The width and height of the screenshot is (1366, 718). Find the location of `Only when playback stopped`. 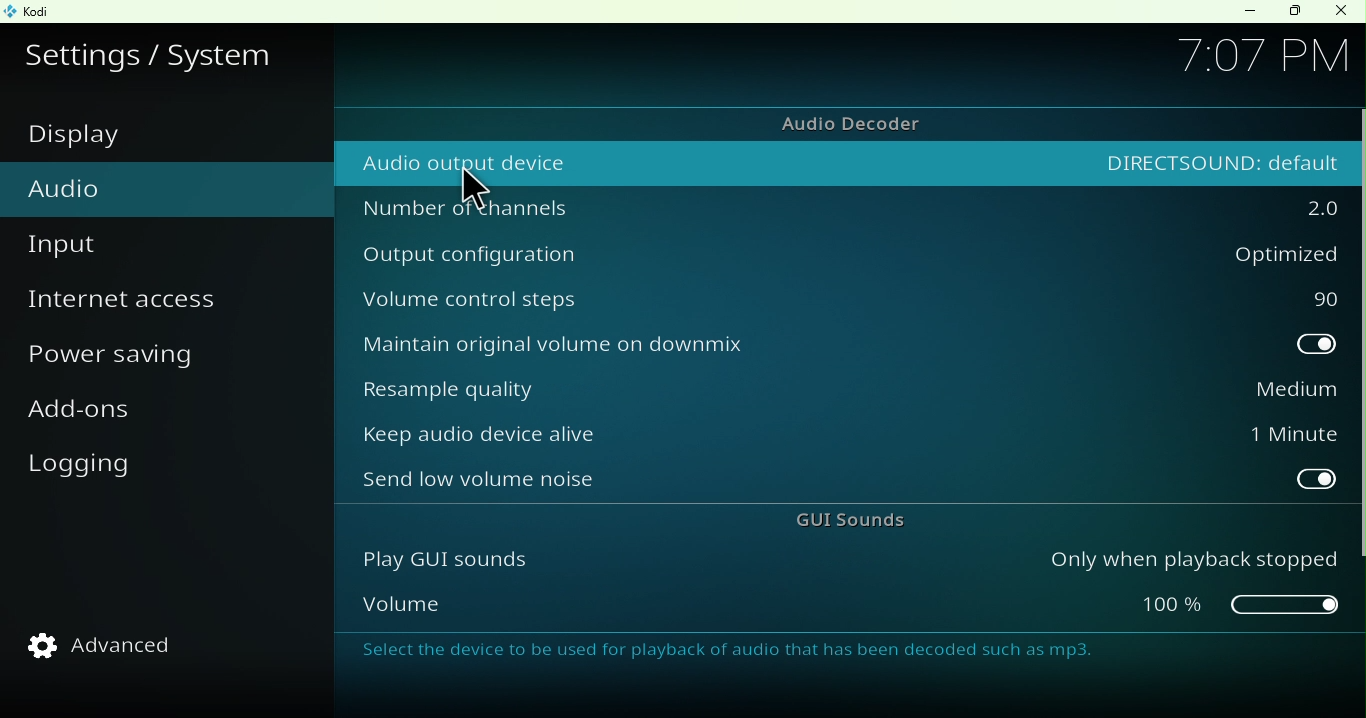

Only when playback stopped is located at coordinates (1192, 563).